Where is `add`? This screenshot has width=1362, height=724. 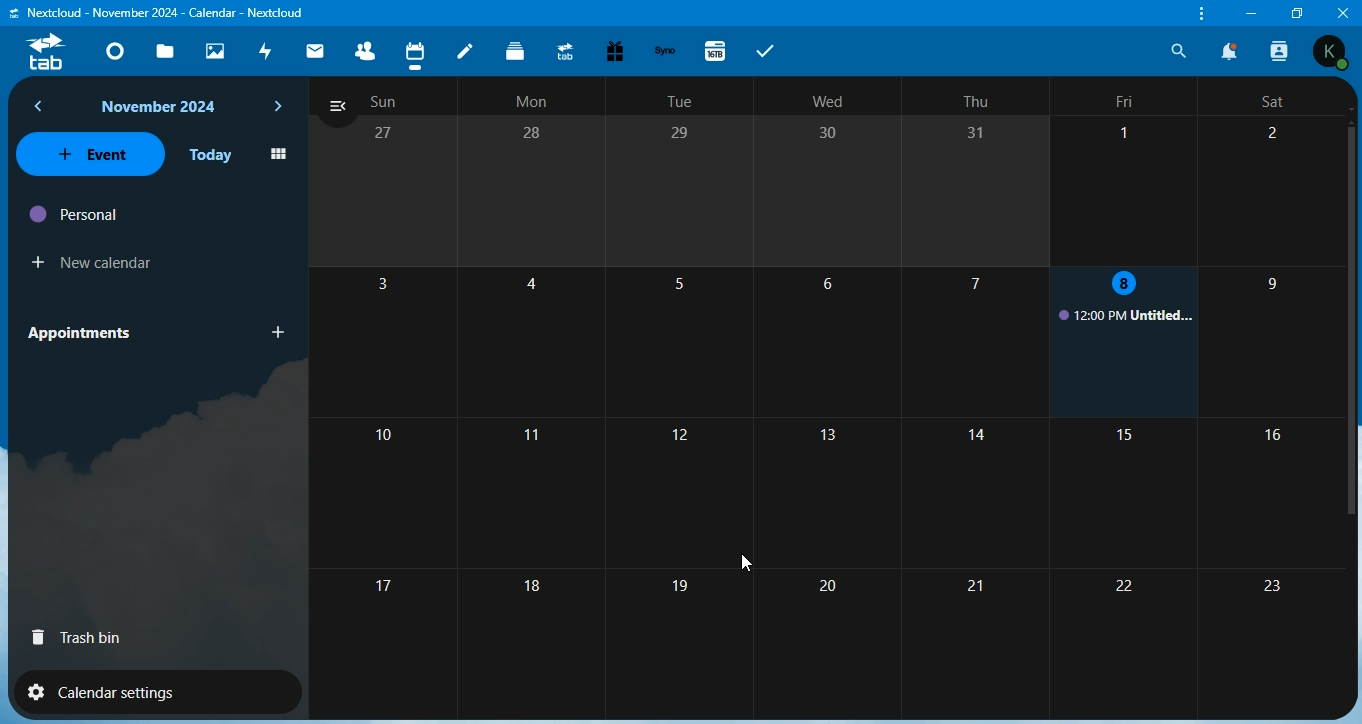 add is located at coordinates (274, 335).